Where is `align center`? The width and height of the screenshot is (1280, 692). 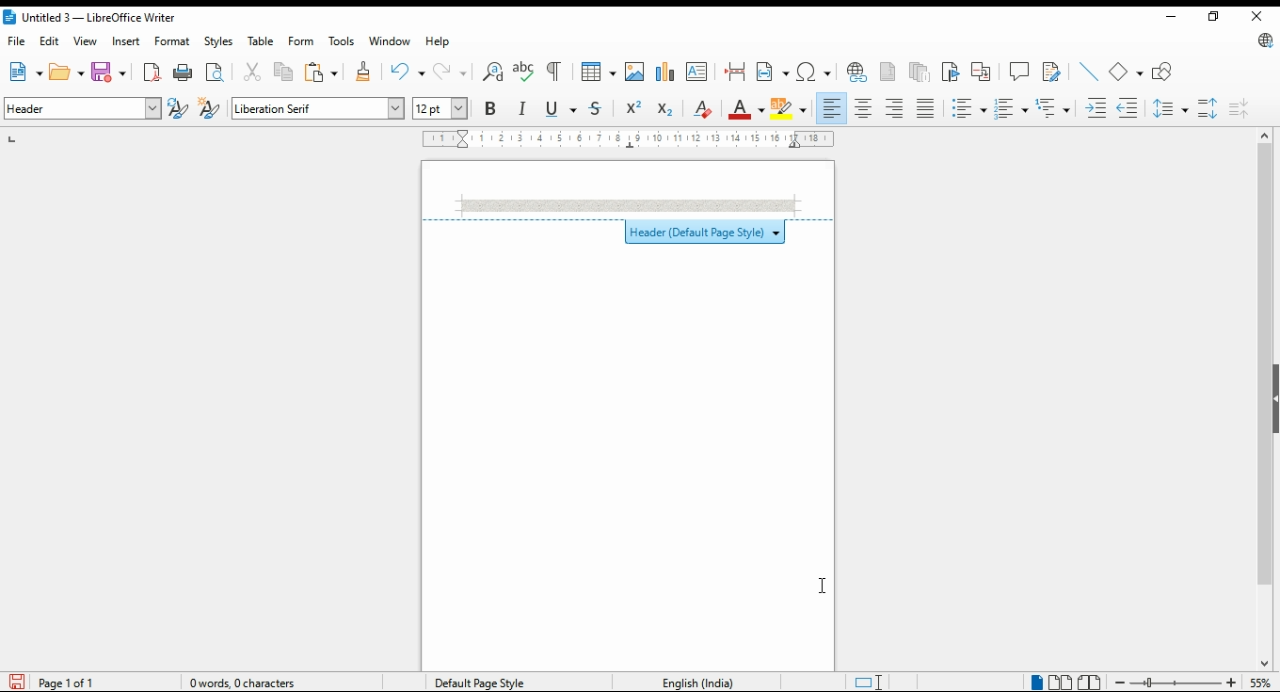
align center is located at coordinates (865, 108).